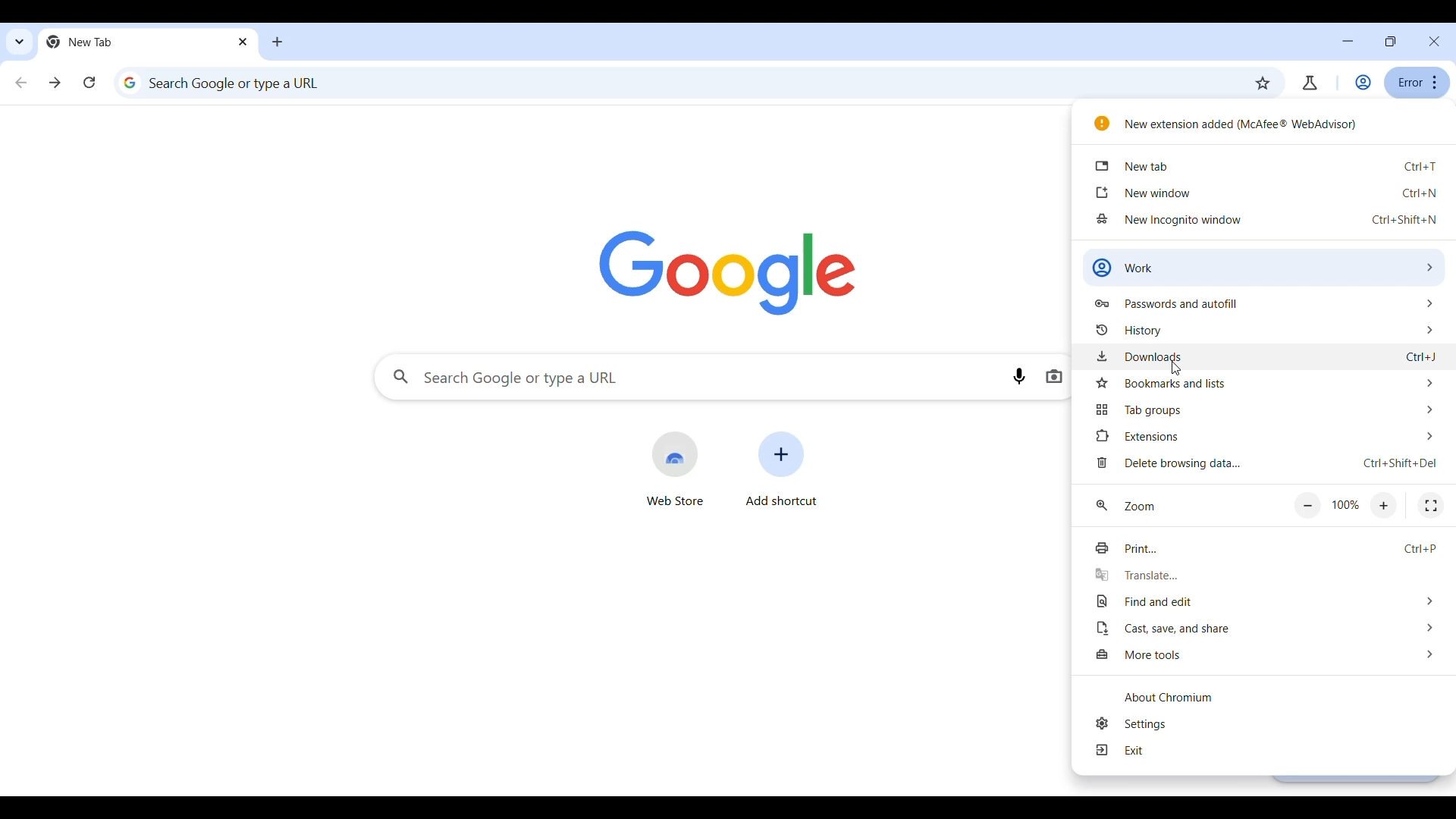  I want to click on Reload current page, so click(89, 82).